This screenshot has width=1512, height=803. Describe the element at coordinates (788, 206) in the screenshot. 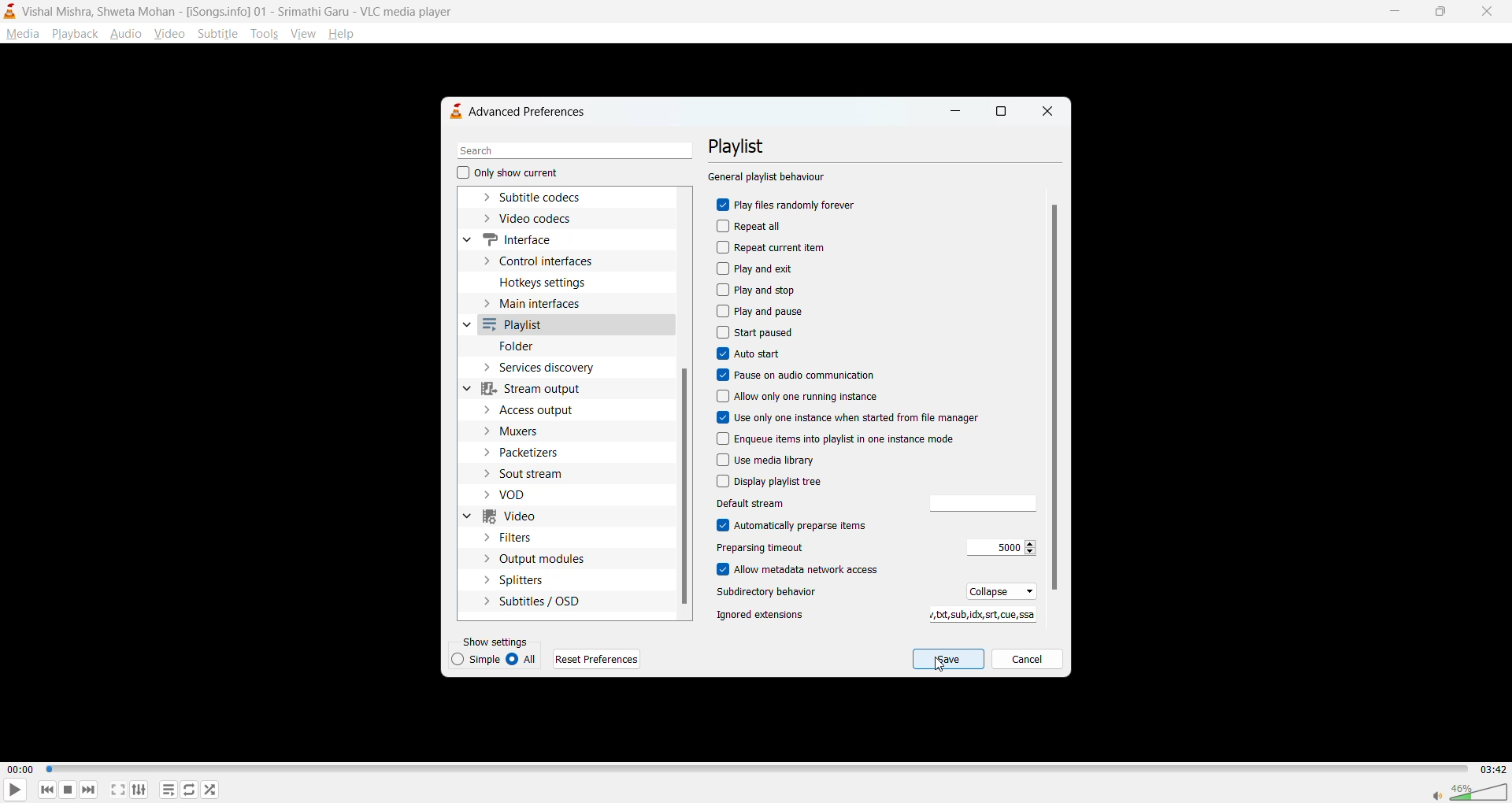

I see `play files randomly enabled` at that location.